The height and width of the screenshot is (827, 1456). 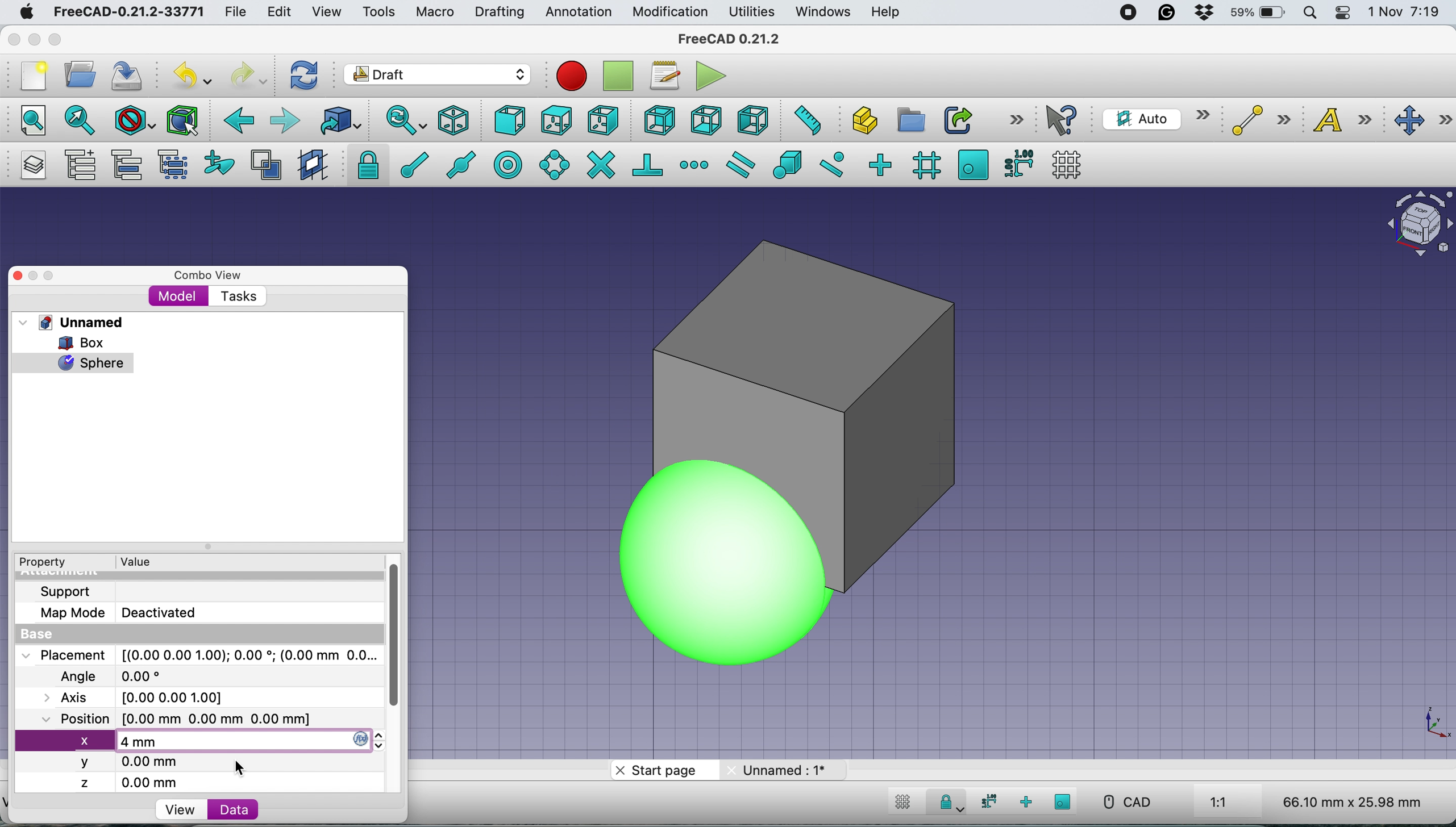 What do you see at coordinates (706, 121) in the screenshot?
I see `bottom` at bounding box center [706, 121].